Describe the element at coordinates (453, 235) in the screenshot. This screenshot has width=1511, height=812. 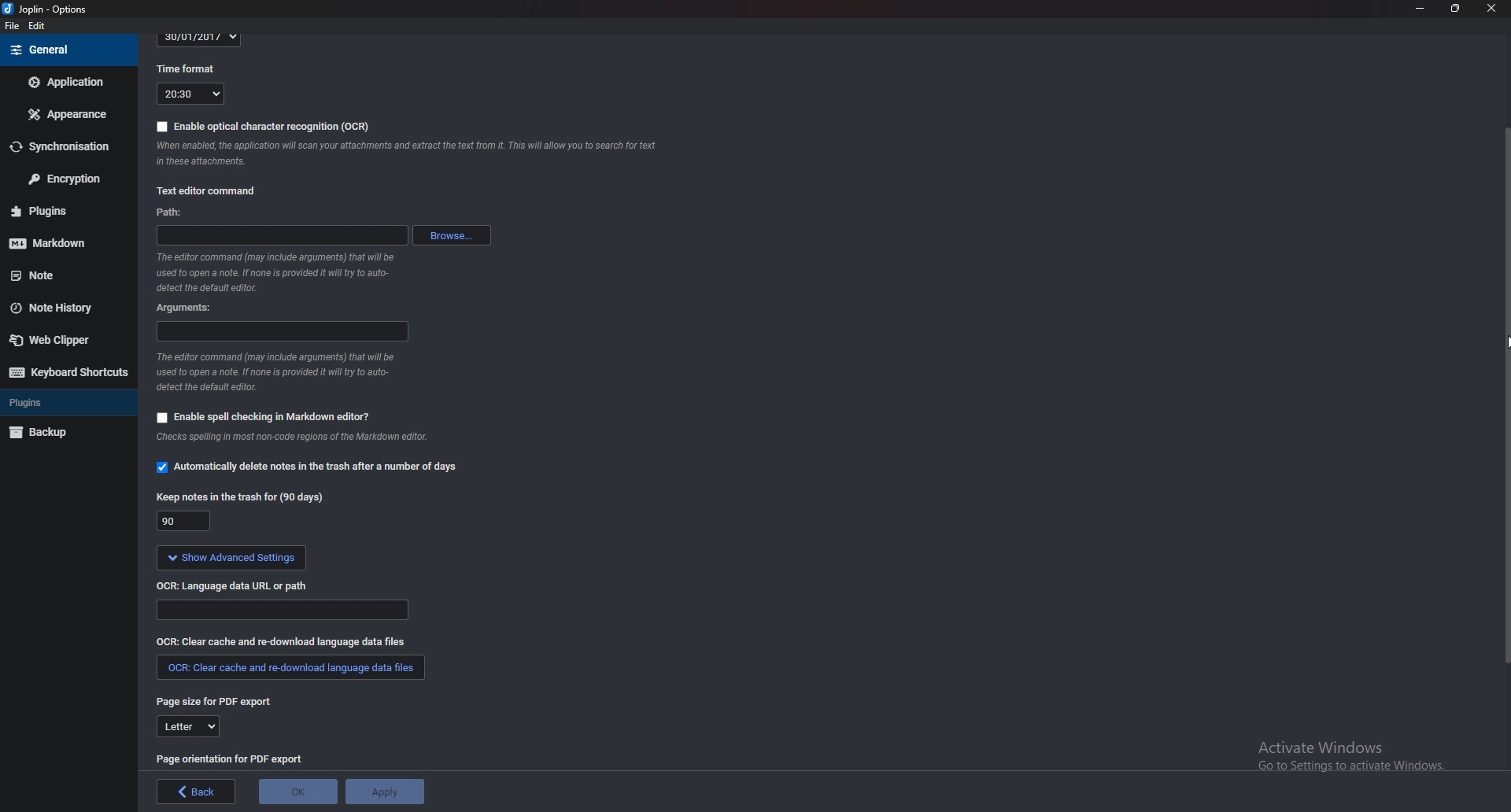
I see `browse` at that location.